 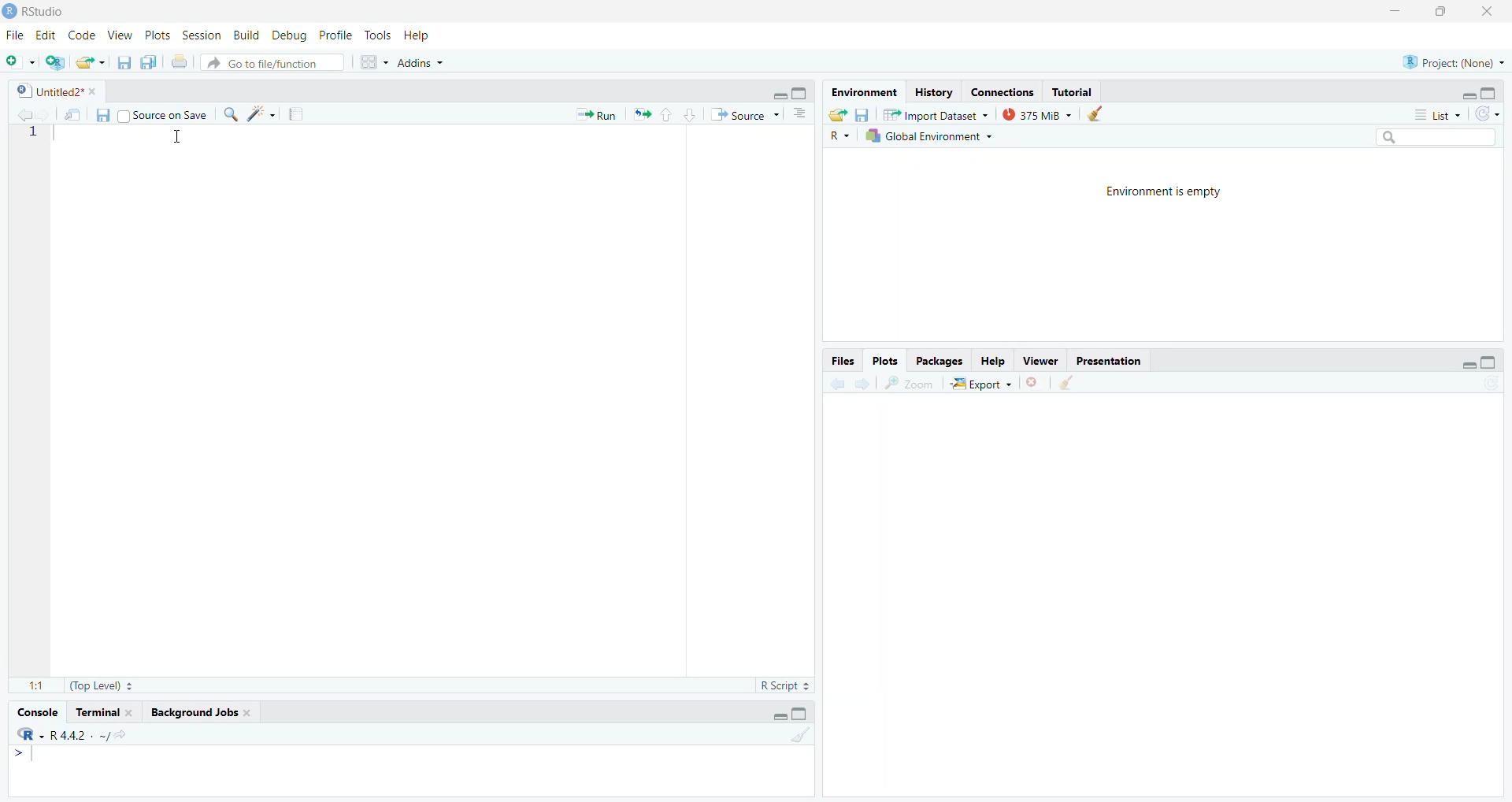 I want to click on go forward, so click(x=864, y=384).